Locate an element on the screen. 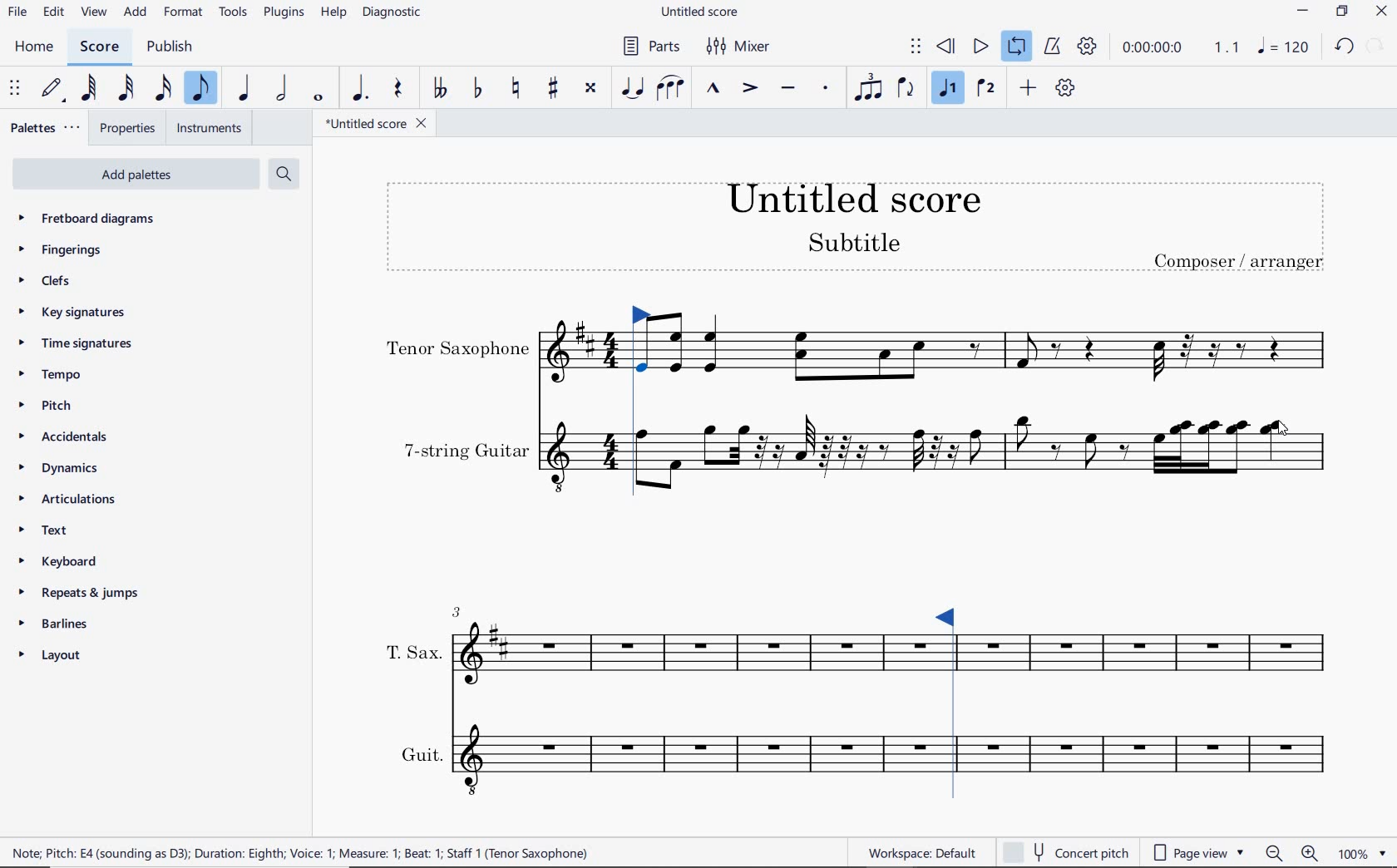 This screenshot has width=1397, height=868. 16TH NOTE is located at coordinates (160, 88).